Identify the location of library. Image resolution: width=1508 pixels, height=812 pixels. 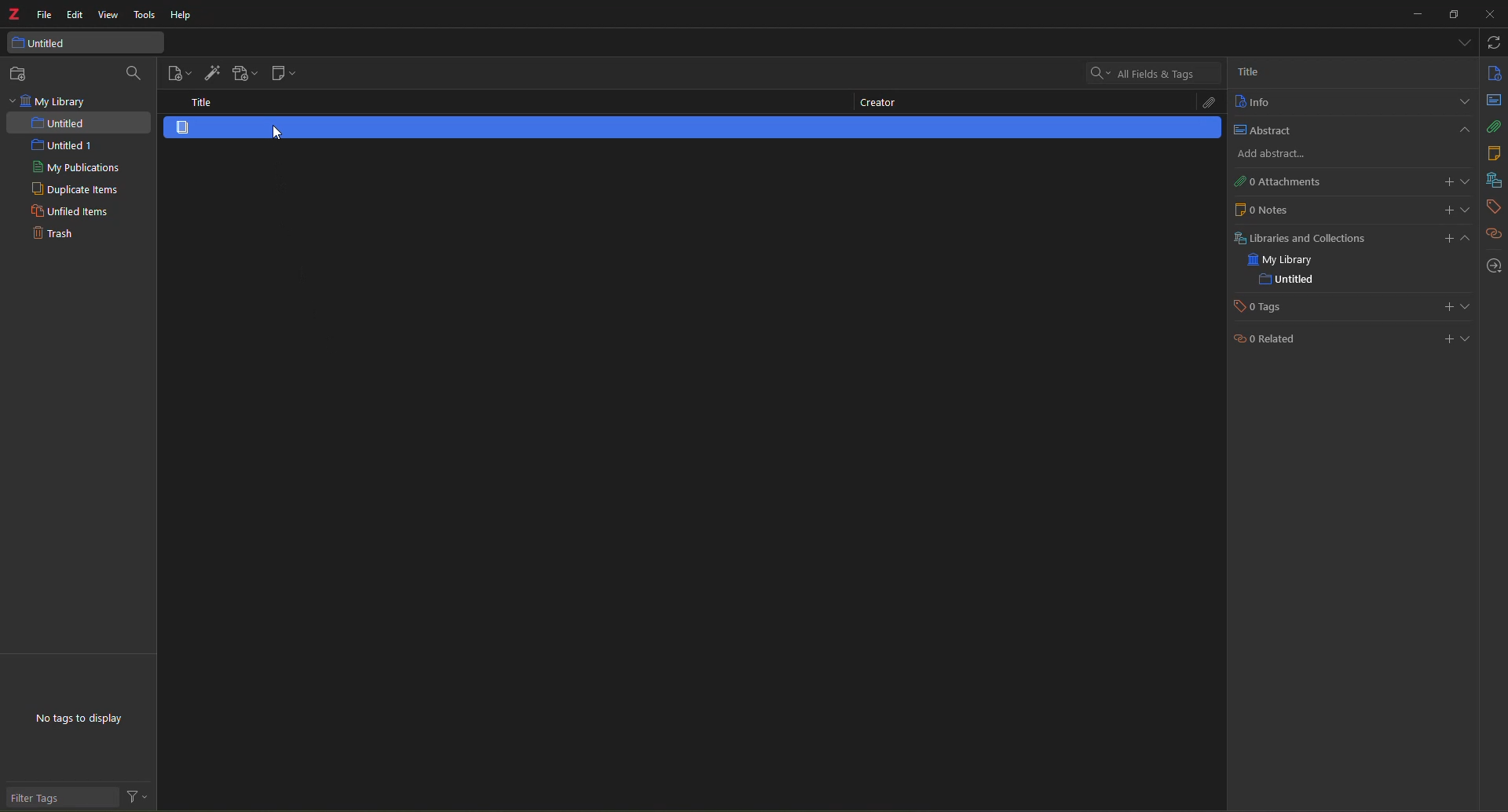
(1298, 237).